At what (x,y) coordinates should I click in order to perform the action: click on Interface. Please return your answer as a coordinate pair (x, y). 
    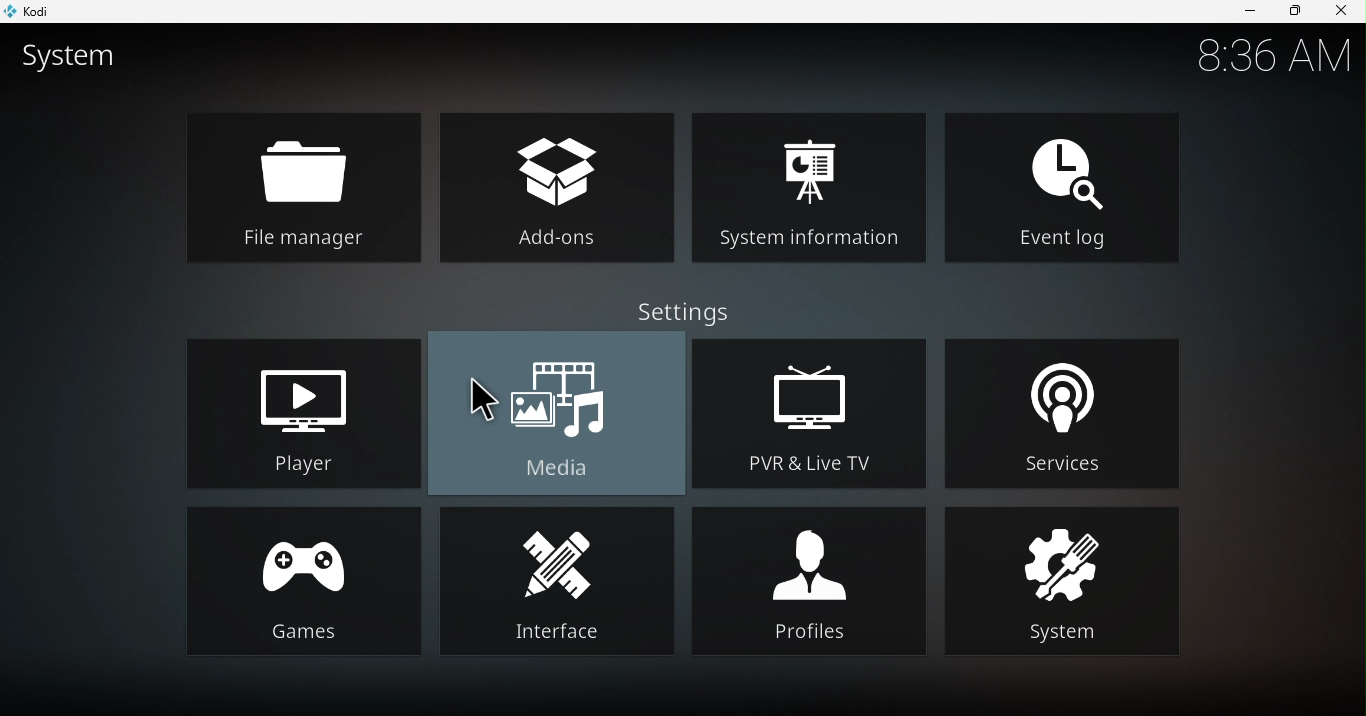
    Looking at the image, I should click on (556, 582).